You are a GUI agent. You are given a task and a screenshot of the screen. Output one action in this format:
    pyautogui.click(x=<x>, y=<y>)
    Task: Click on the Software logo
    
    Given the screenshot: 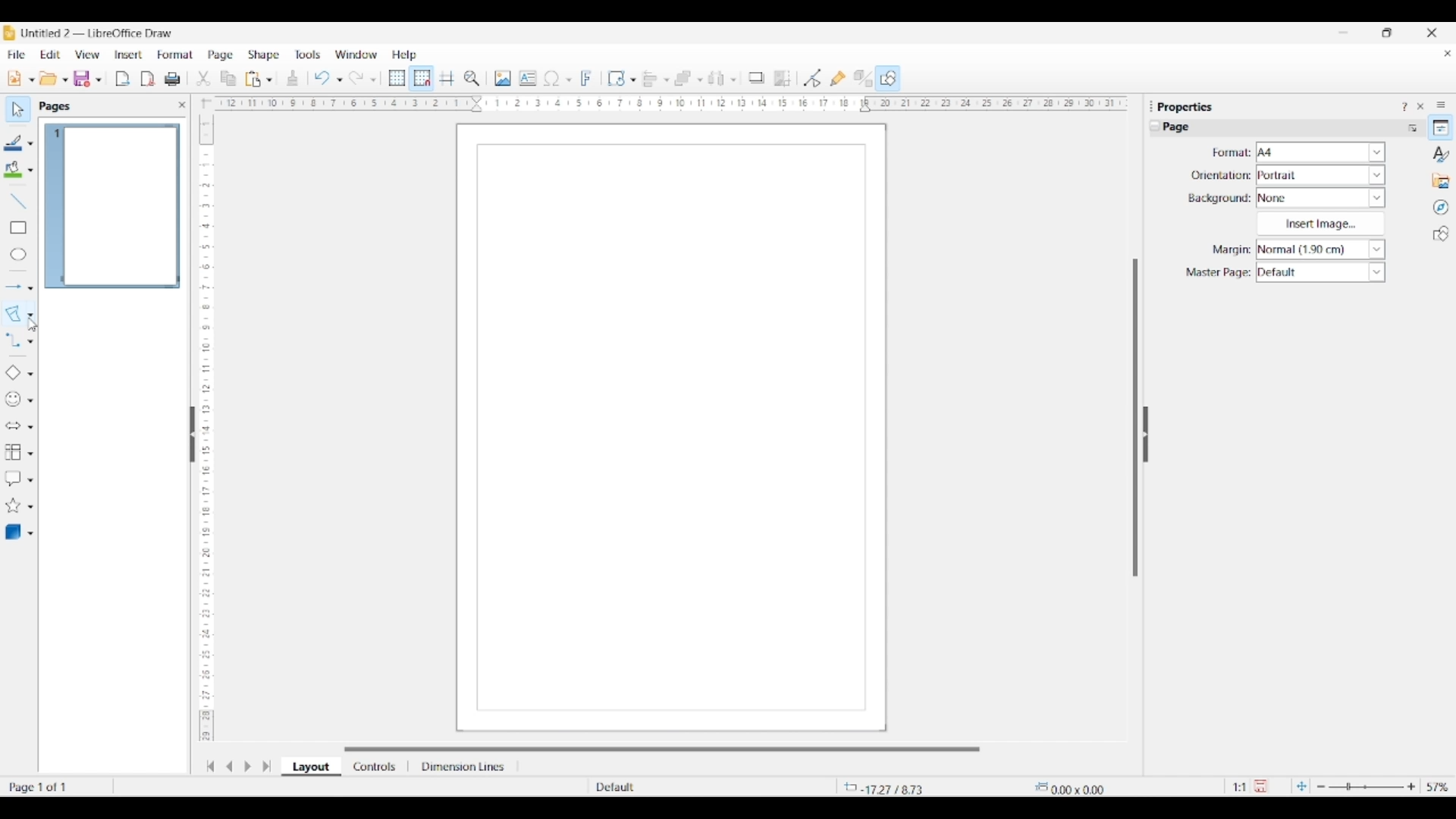 What is the action you would take?
    pyautogui.click(x=9, y=33)
    